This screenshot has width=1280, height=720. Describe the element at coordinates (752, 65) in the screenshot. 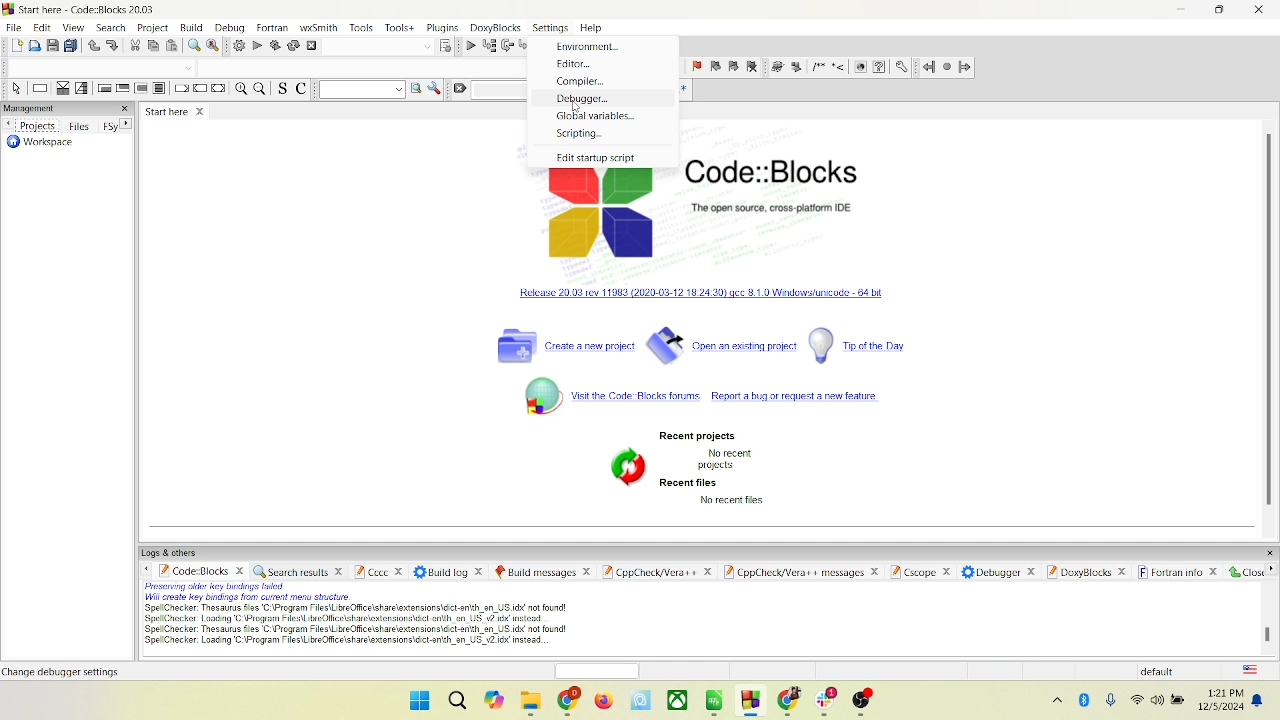

I see `clear bookmark` at that location.